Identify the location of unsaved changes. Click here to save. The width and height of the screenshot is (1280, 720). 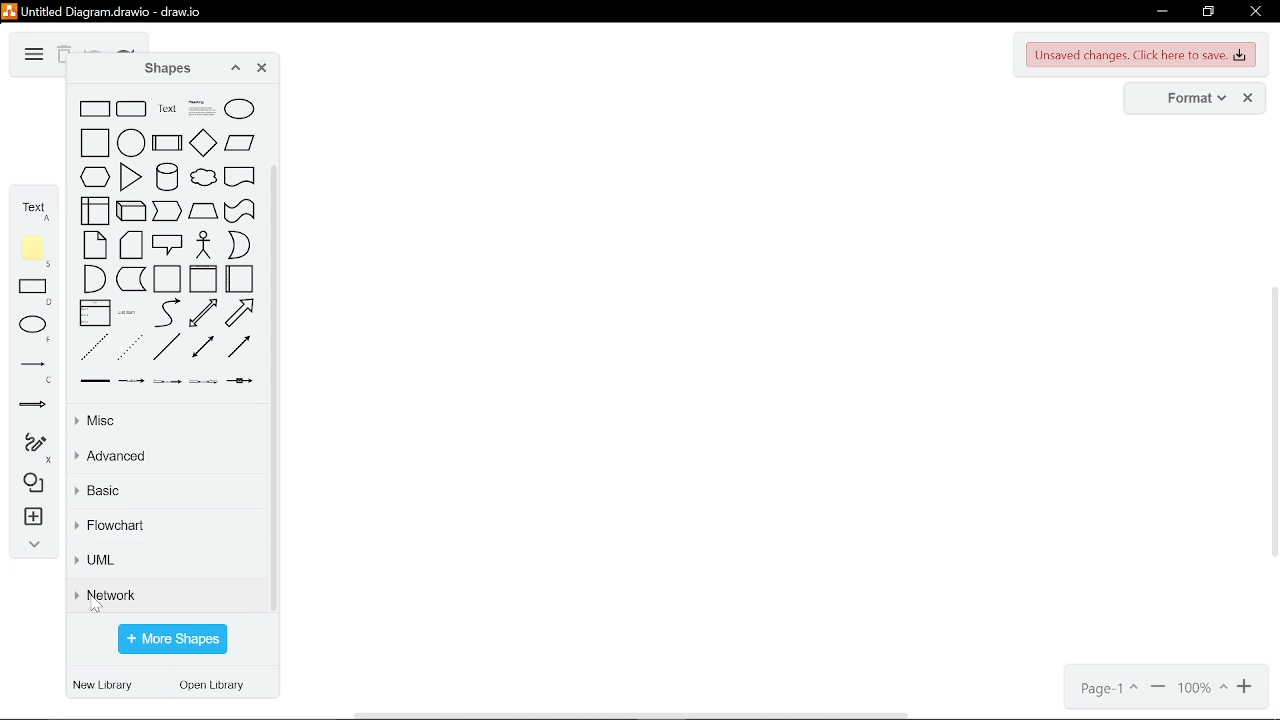
(1142, 55).